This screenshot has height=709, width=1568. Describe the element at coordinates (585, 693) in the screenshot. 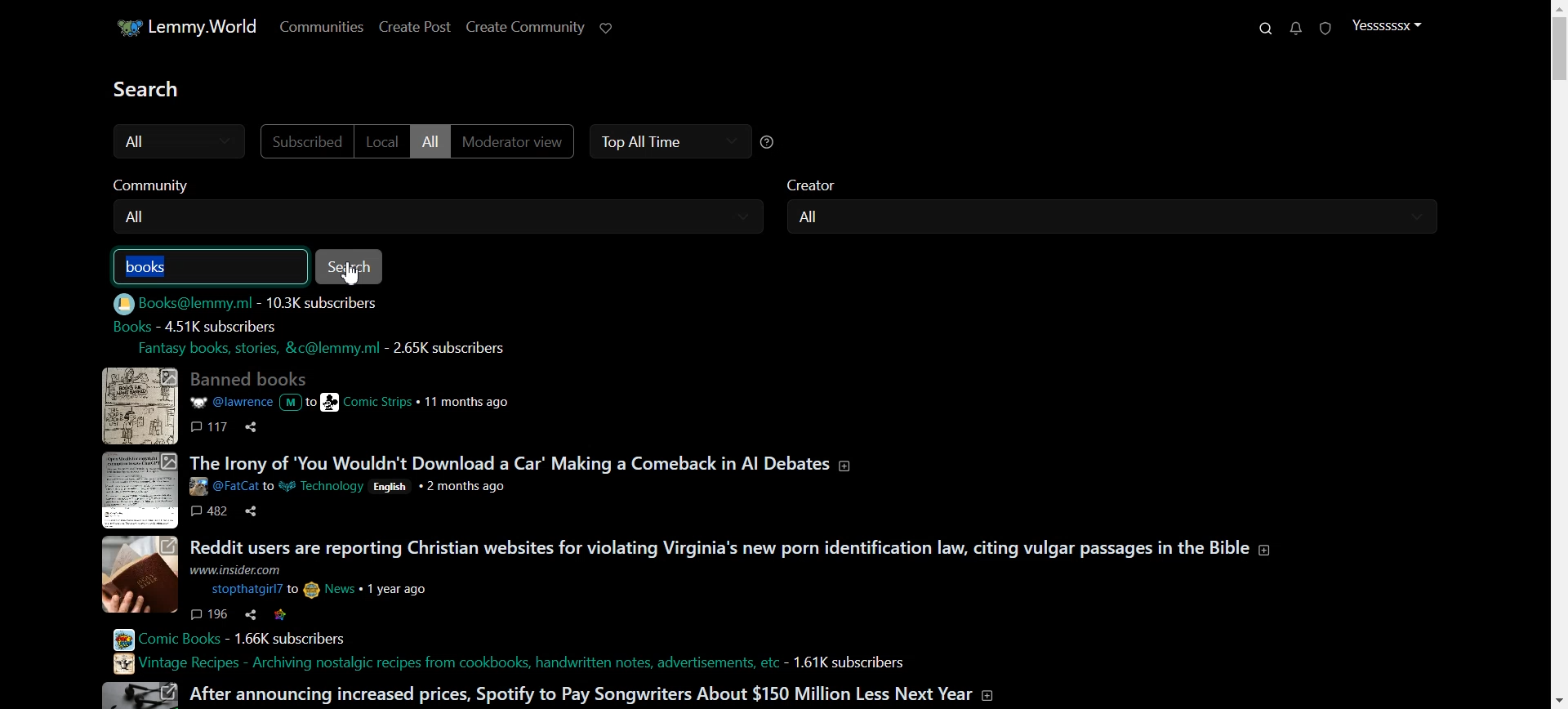

I see `post` at that location.